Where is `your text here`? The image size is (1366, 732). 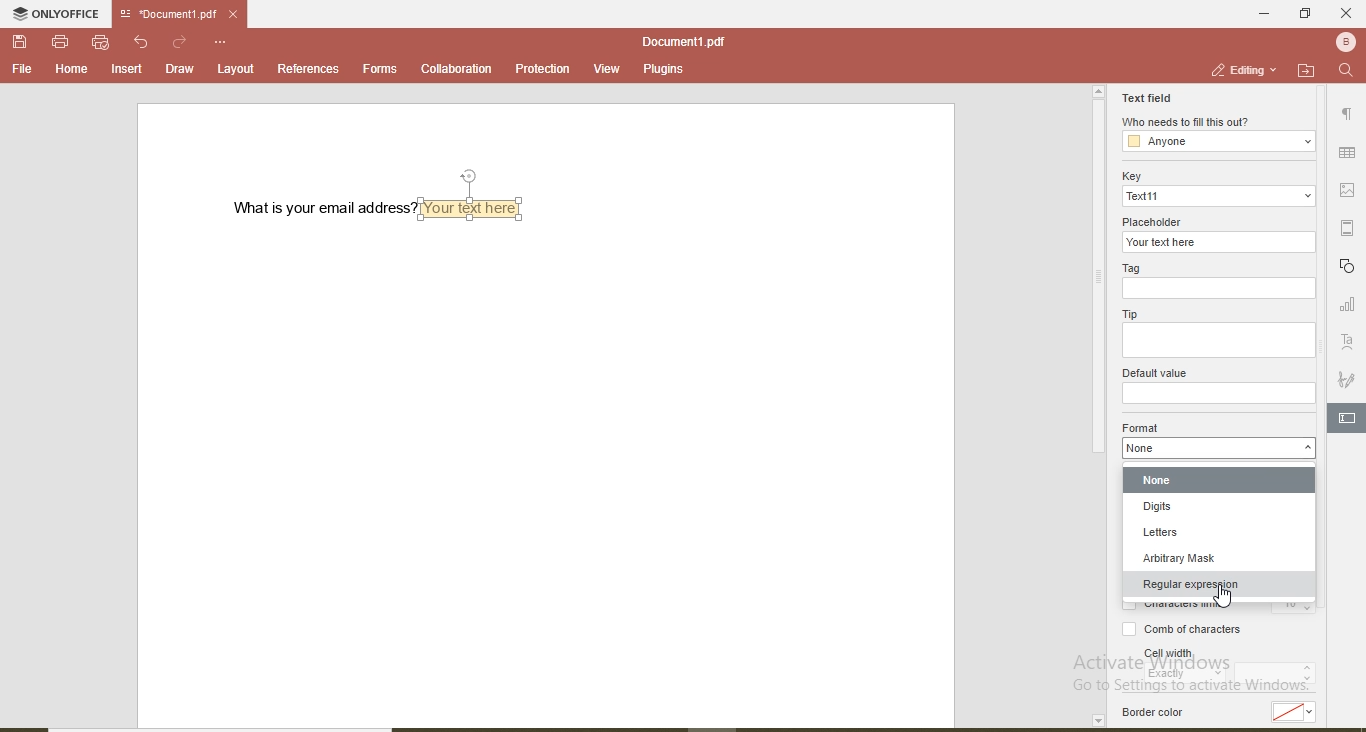 your text here is located at coordinates (1220, 242).